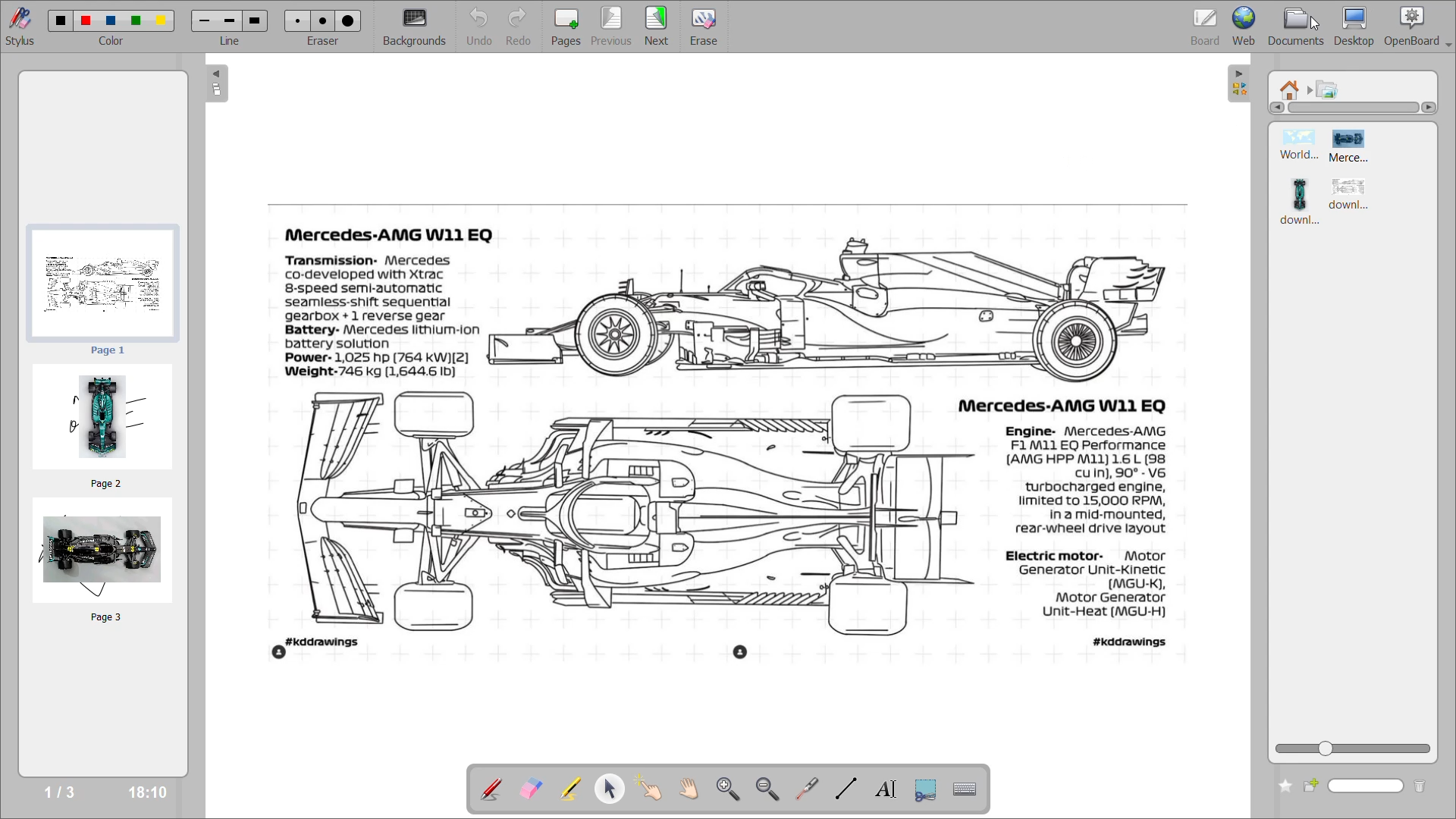  What do you see at coordinates (851, 789) in the screenshot?
I see `draw lines` at bounding box center [851, 789].